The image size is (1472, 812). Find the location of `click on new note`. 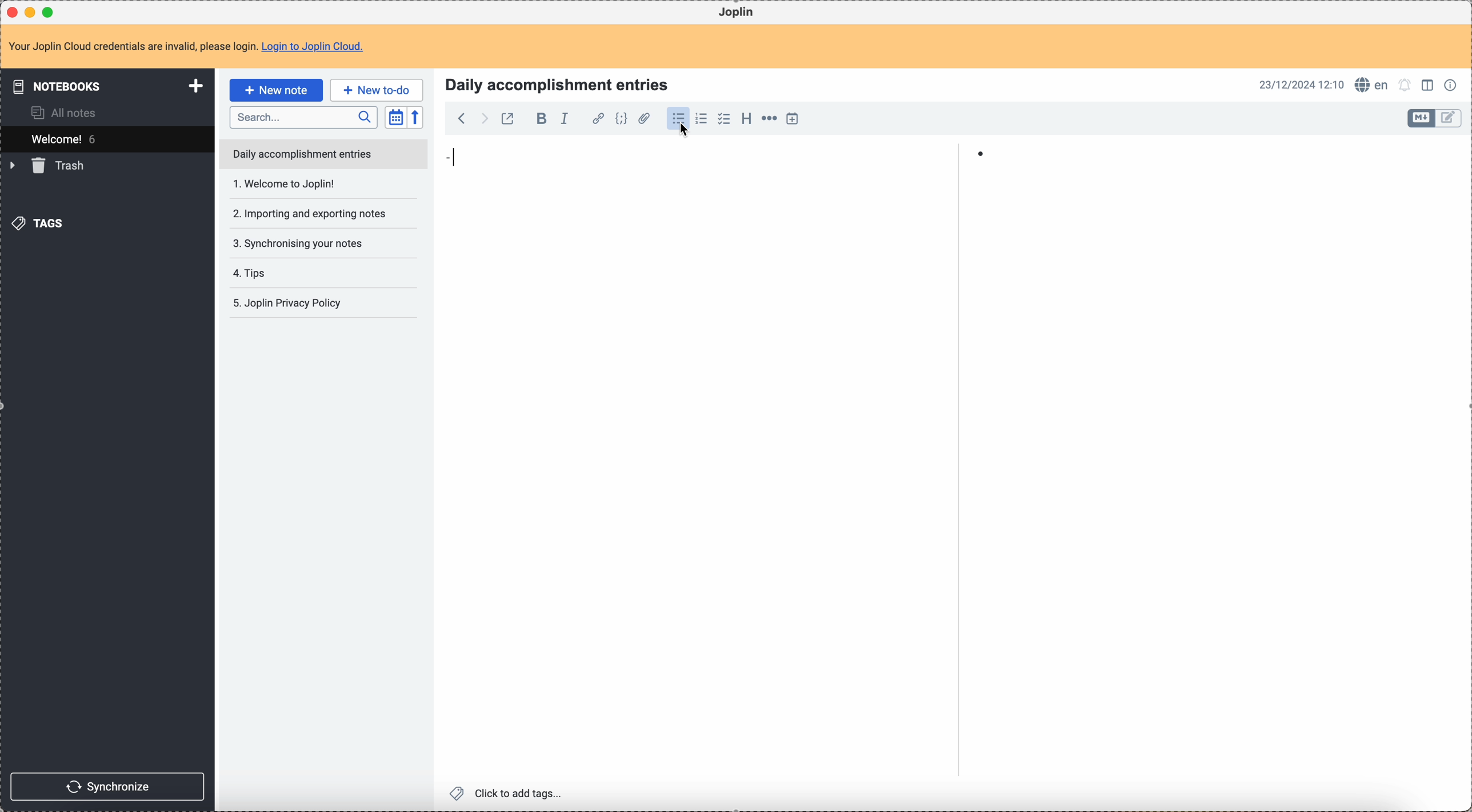

click on new note is located at coordinates (275, 90).